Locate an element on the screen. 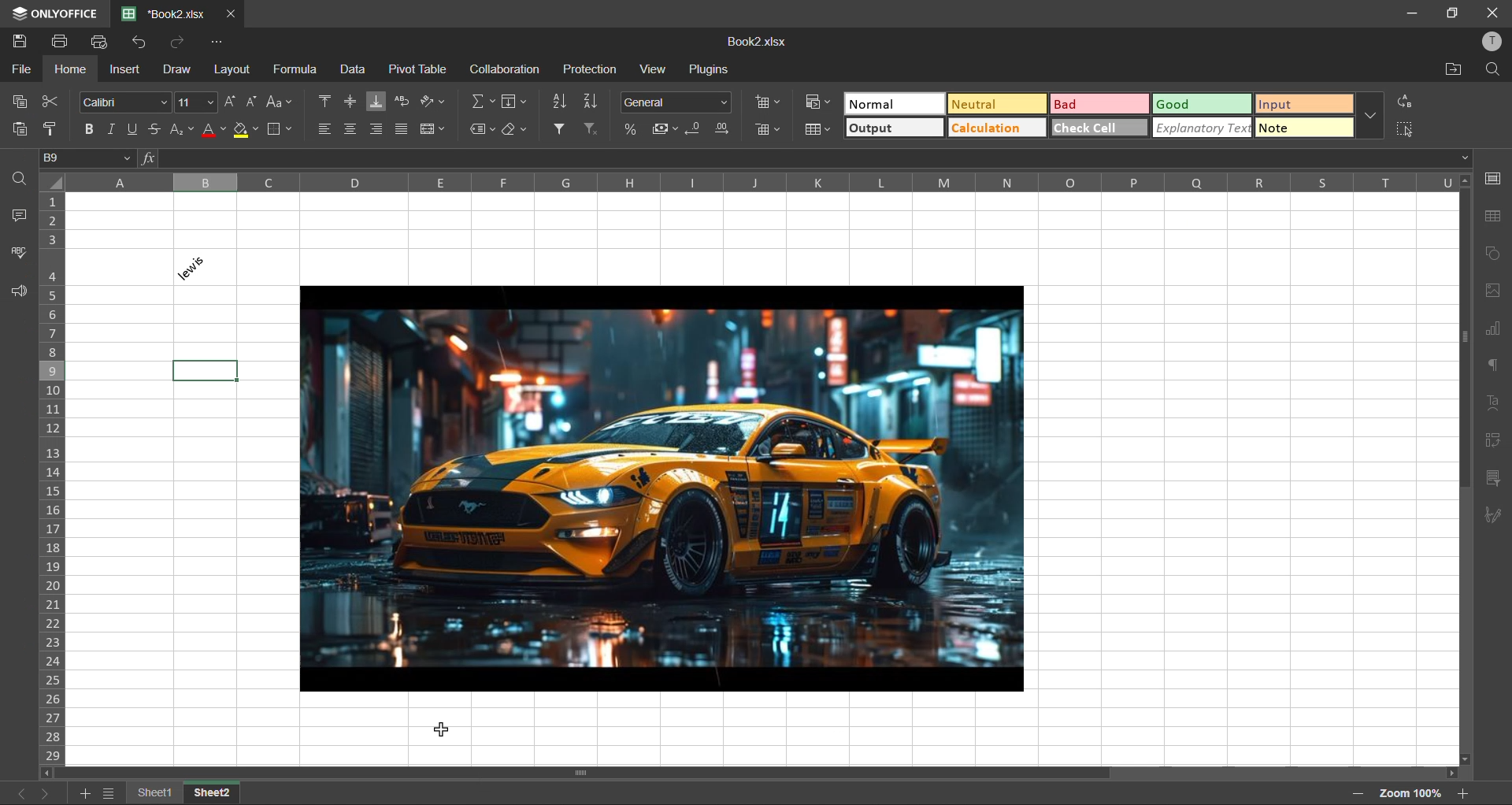 The width and height of the screenshot is (1512, 805). font style is located at coordinates (124, 101).